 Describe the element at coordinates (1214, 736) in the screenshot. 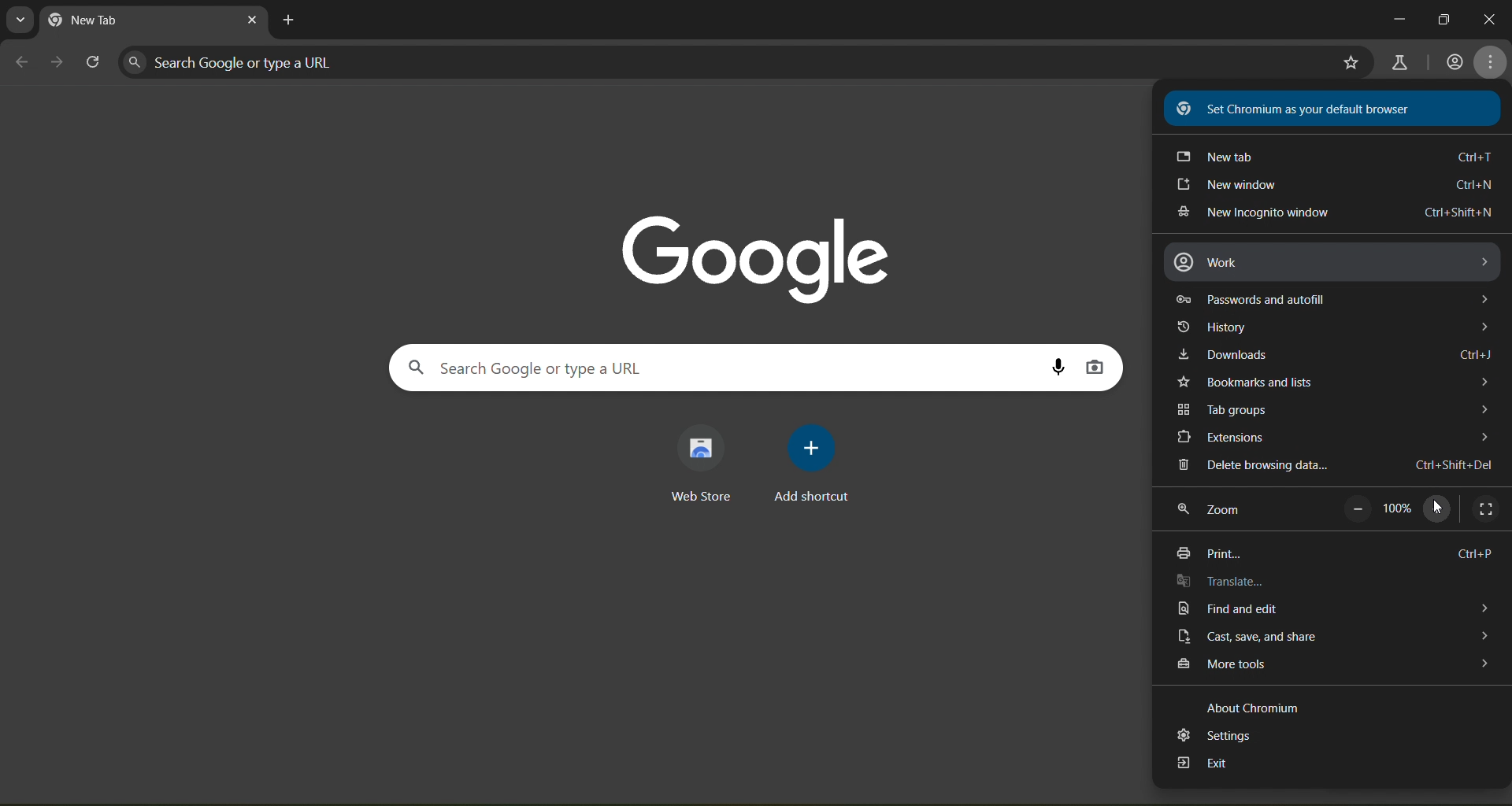

I see `settings` at that location.